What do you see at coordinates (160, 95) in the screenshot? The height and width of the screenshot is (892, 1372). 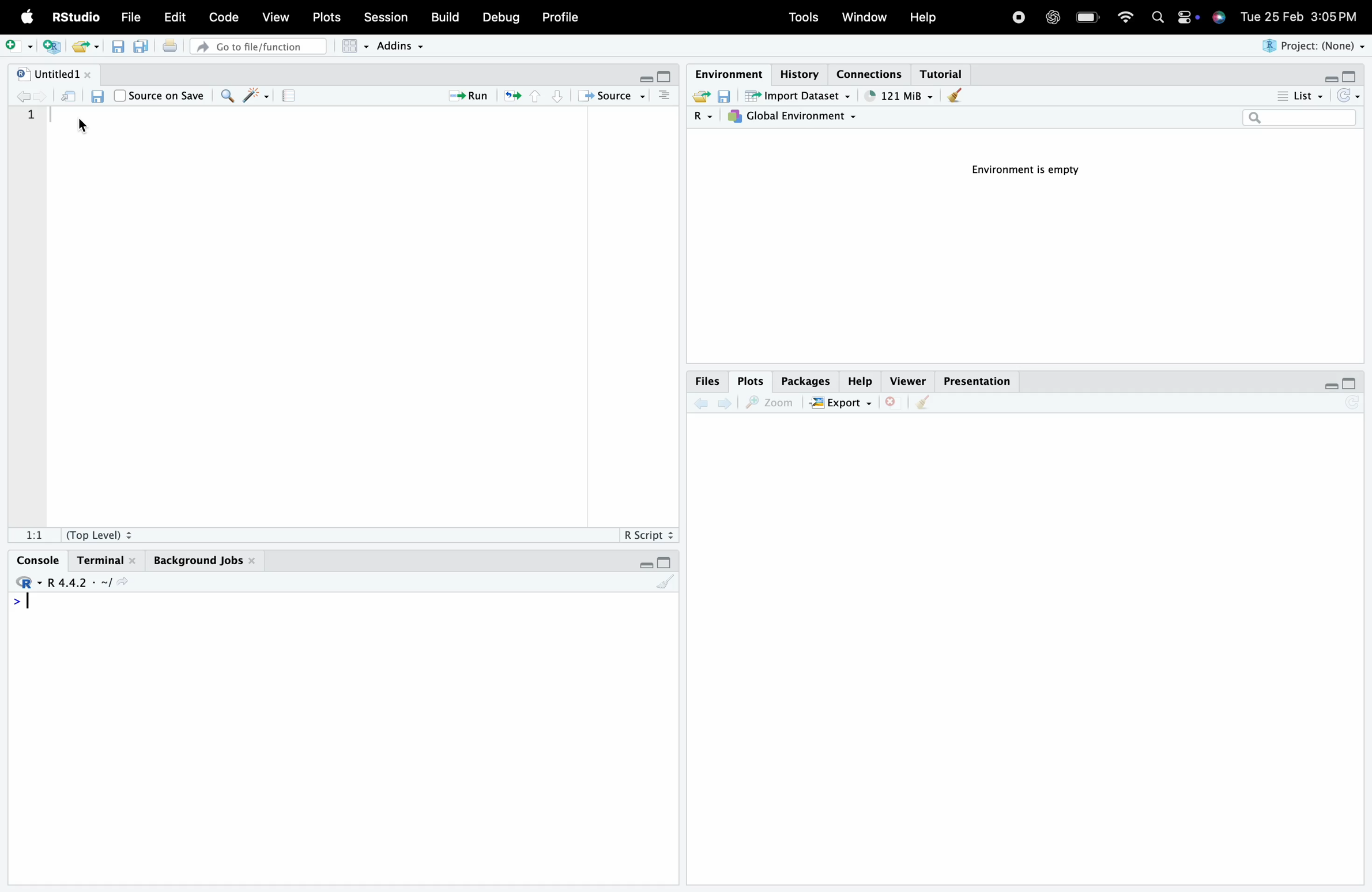 I see `Source on Save` at bounding box center [160, 95].